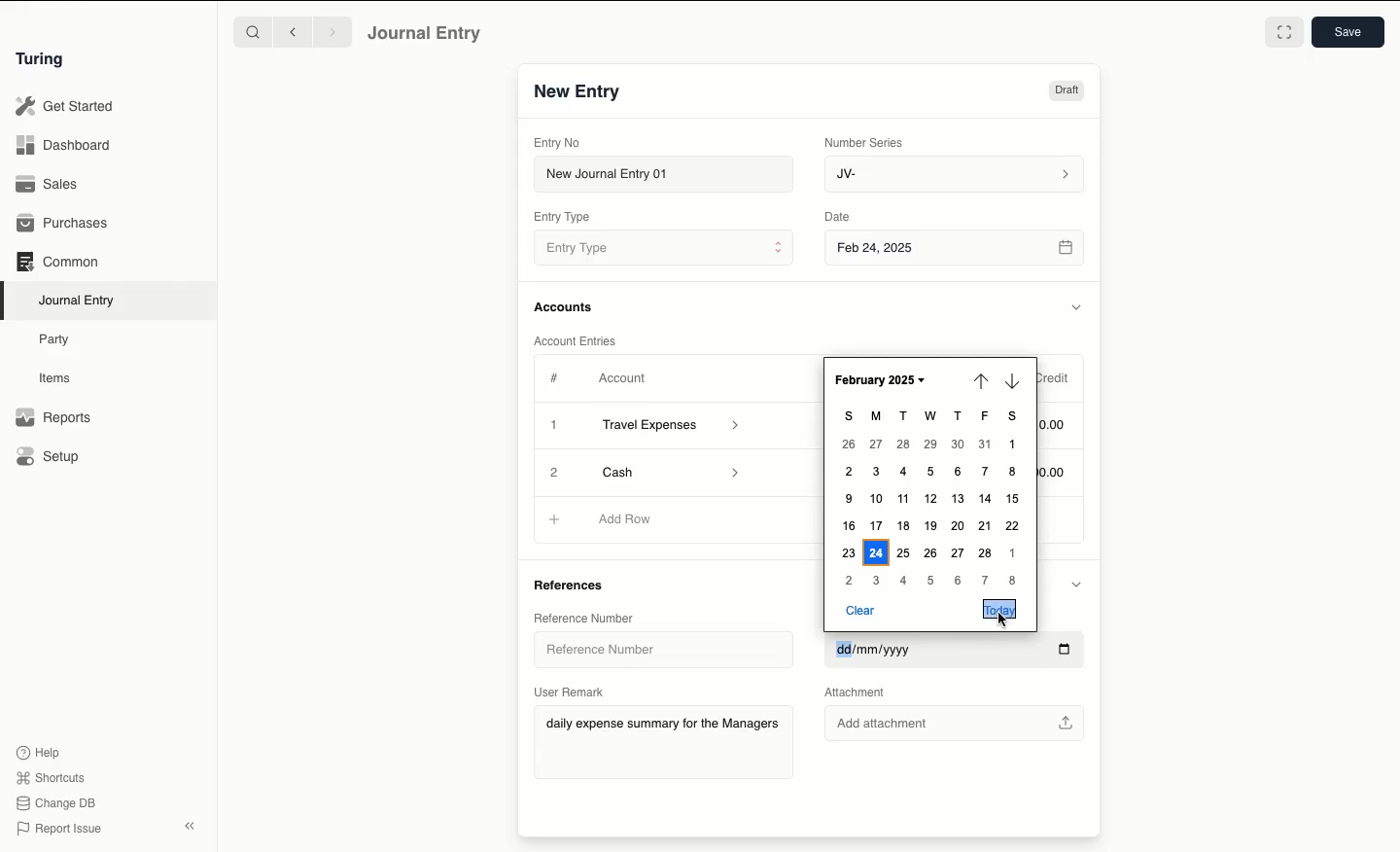  What do you see at coordinates (63, 146) in the screenshot?
I see `Dashboard` at bounding box center [63, 146].